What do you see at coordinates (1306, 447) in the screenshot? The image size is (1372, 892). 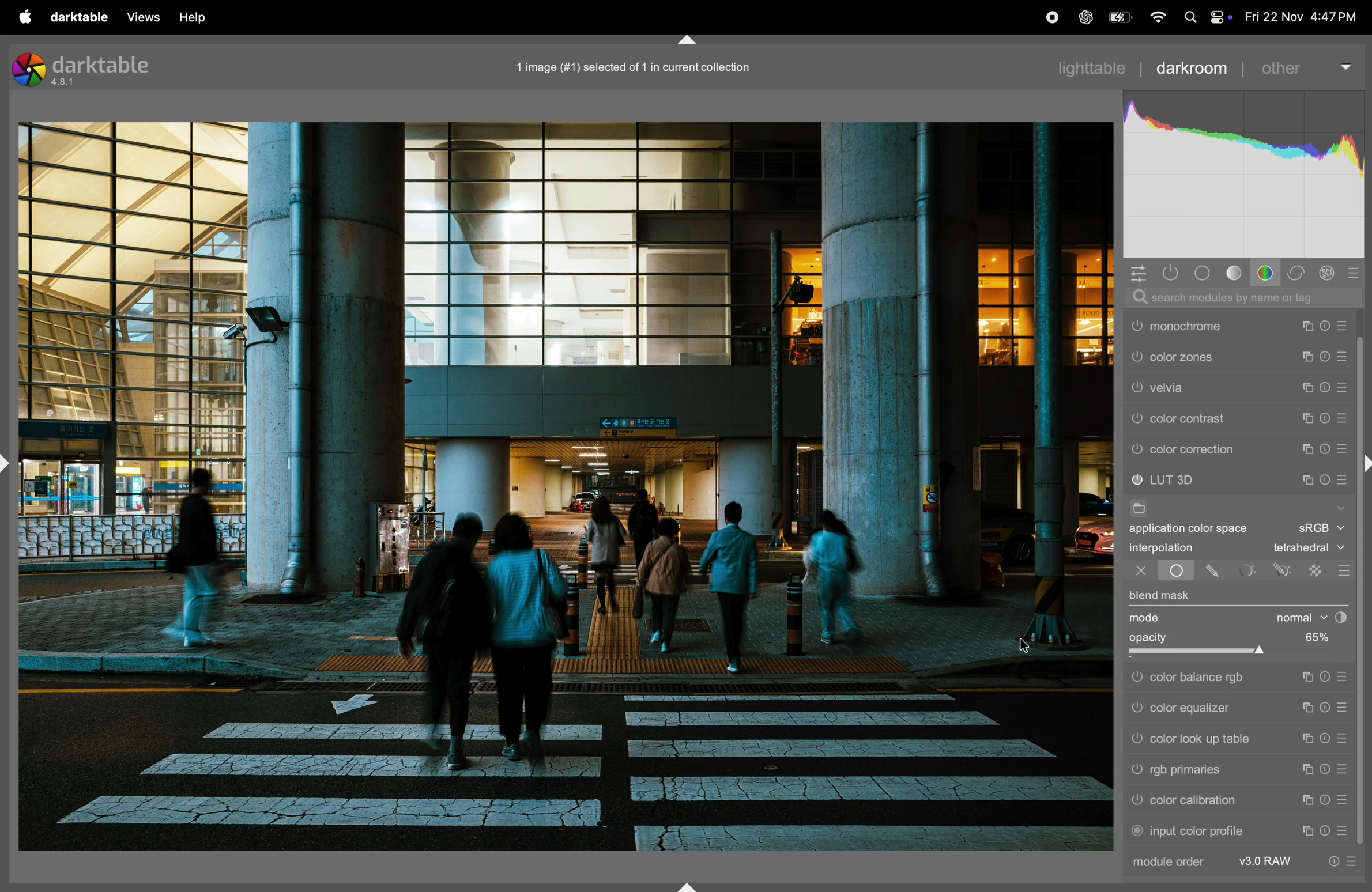 I see `multiple instance actions` at bounding box center [1306, 447].